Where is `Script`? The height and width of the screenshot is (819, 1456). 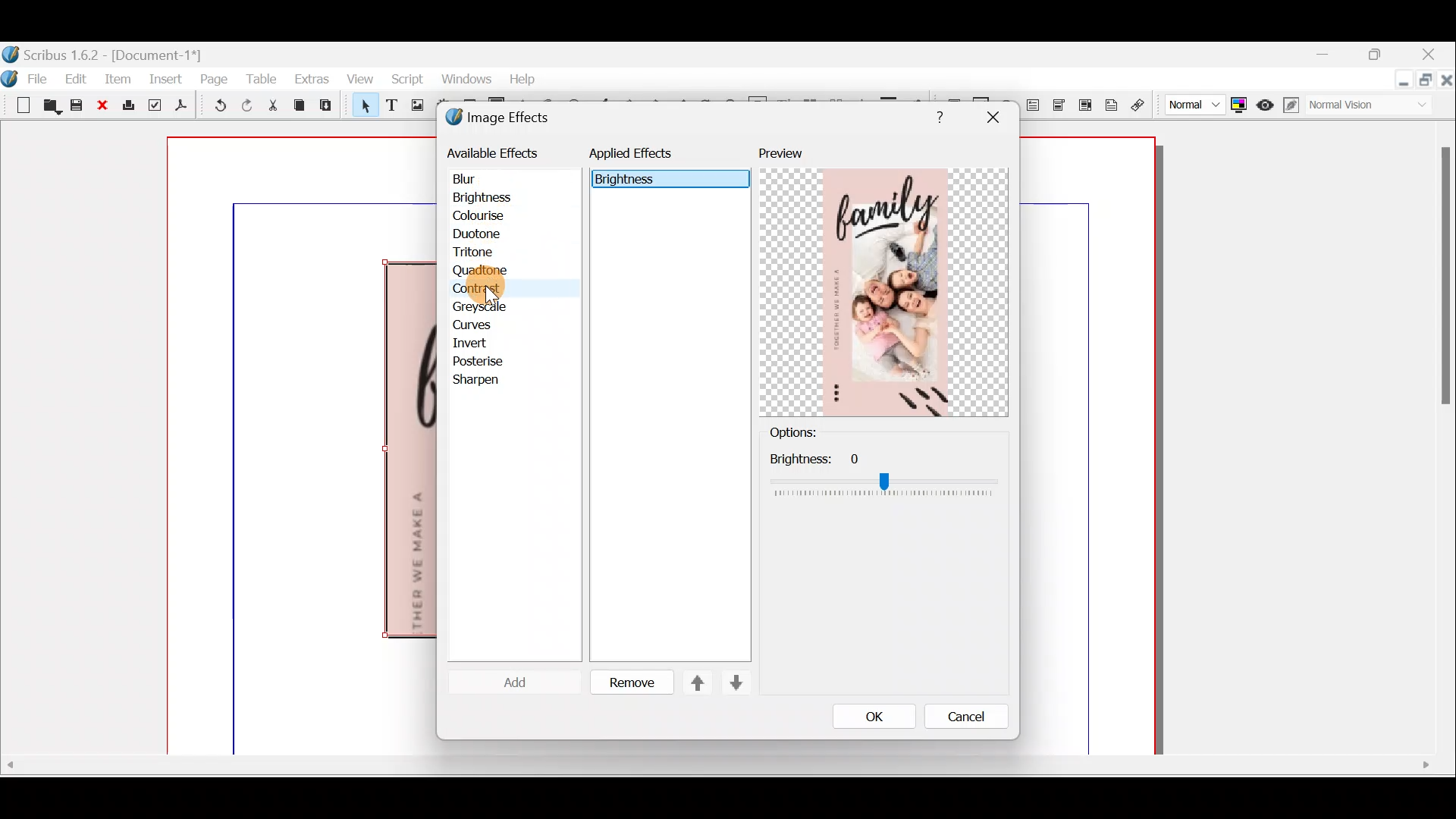 Script is located at coordinates (406, 81).